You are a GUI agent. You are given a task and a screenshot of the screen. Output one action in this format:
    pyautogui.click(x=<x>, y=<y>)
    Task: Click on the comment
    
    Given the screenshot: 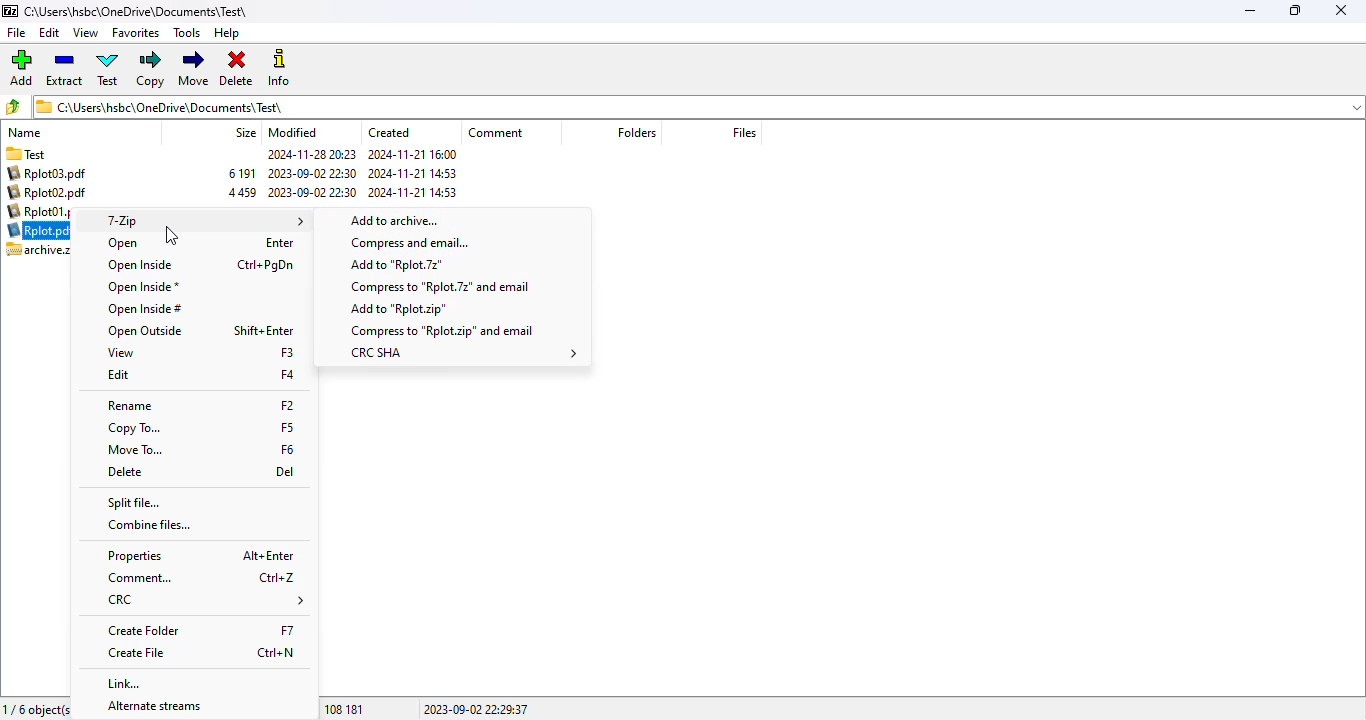 What is the action you would take?
    pyautogui.click(x=494, y=132)
    